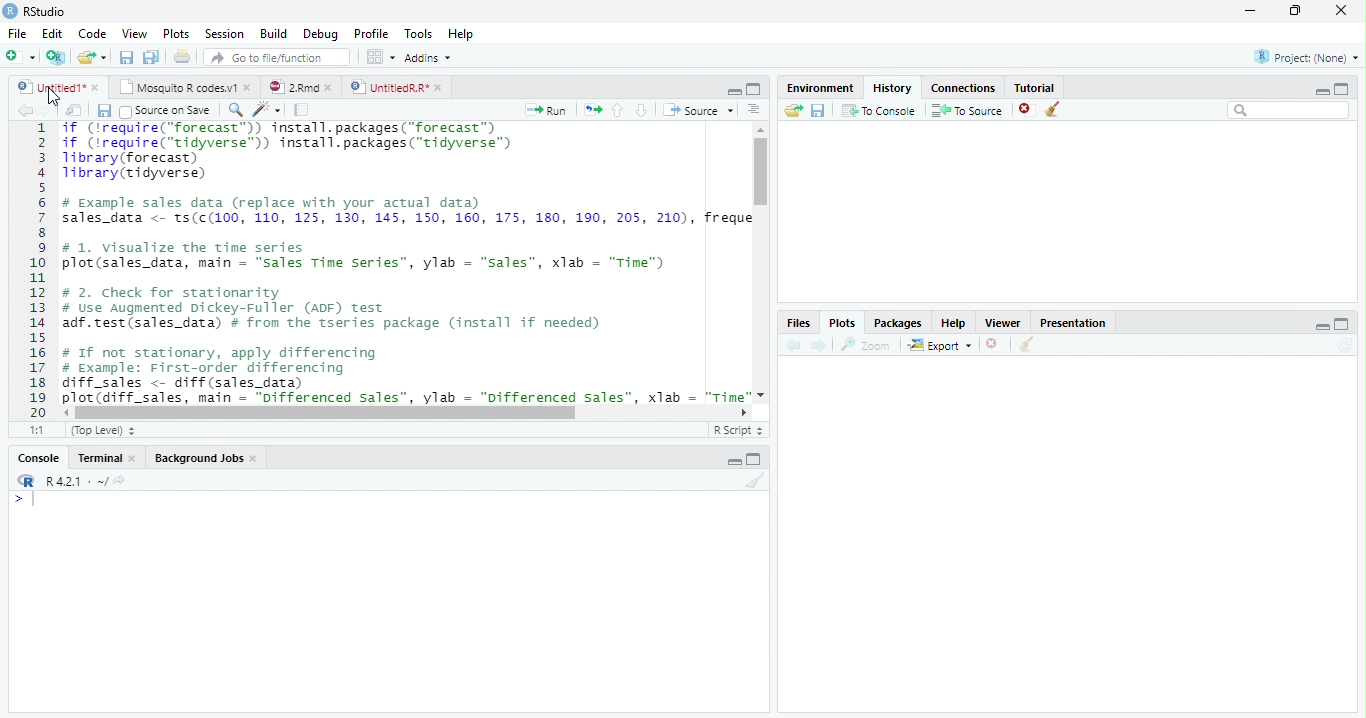  Describe the element at coordinates (793, 345) in the screenshot. I see `Previous` at that location.